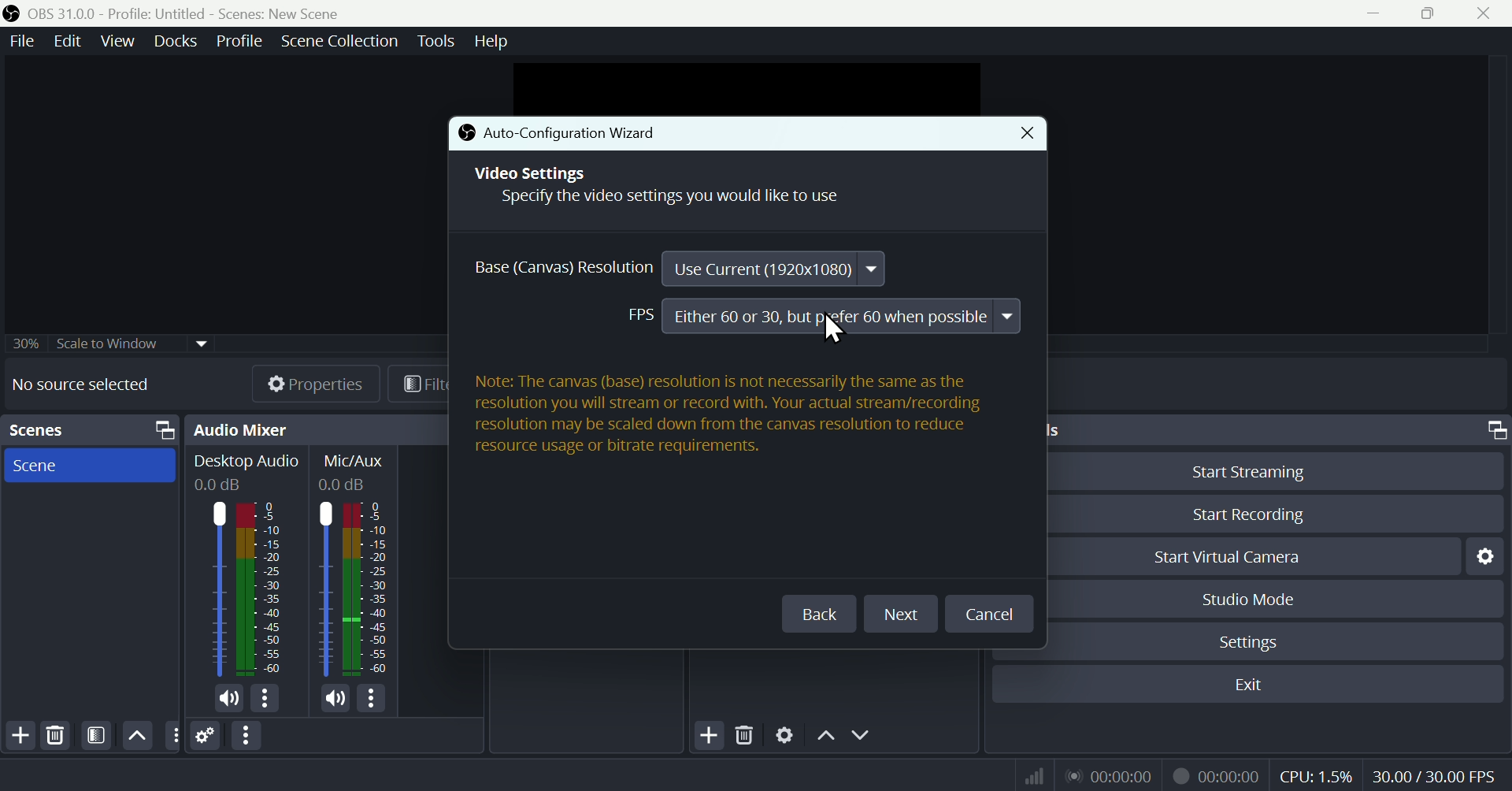 The width and height of the screenshot is (1512, 791). Describe the element at coordinates (24, 41) in the screenshot. I see `File` at that location.